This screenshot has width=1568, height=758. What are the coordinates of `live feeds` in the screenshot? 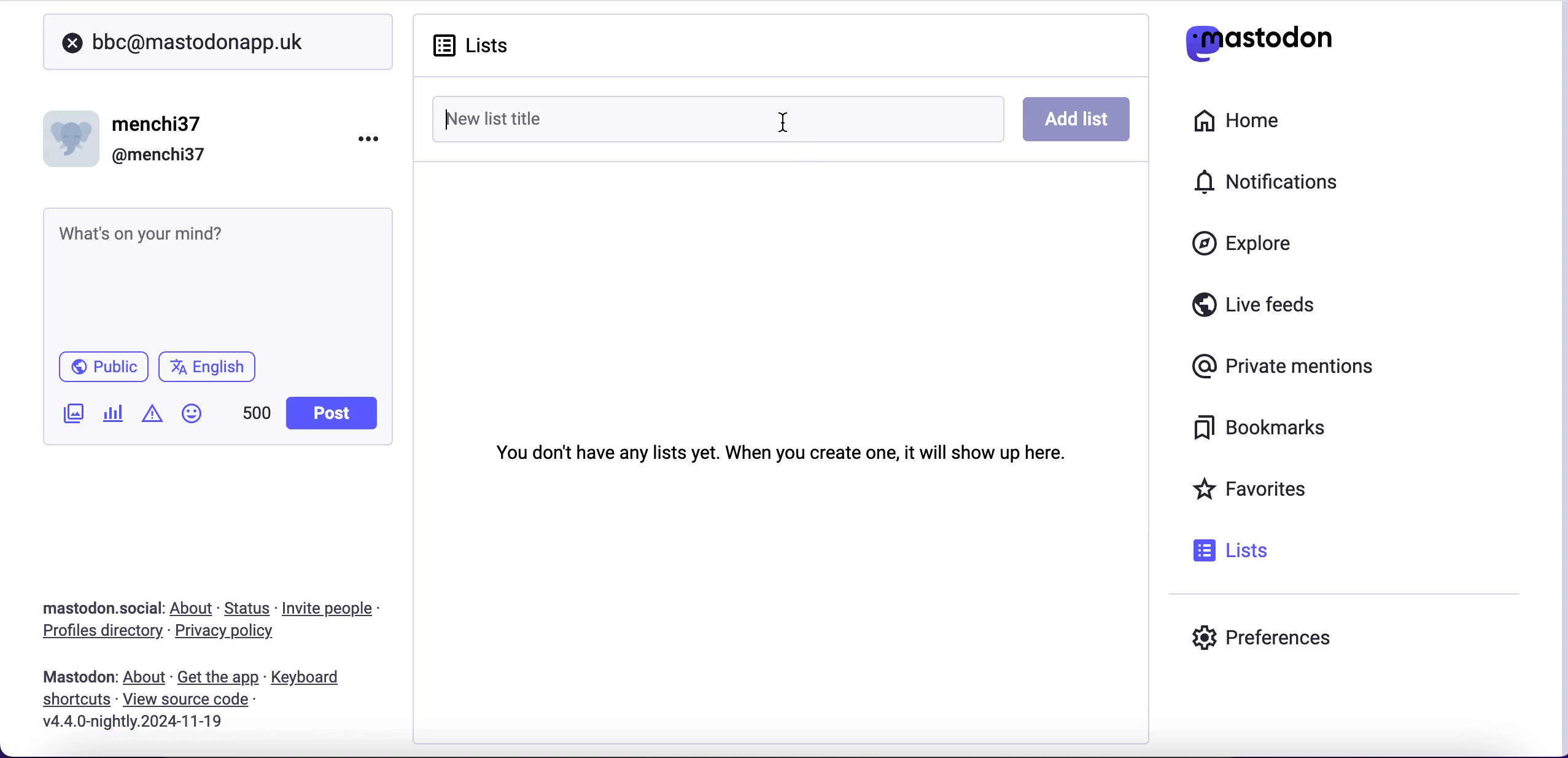 It's located at (1254, 309).